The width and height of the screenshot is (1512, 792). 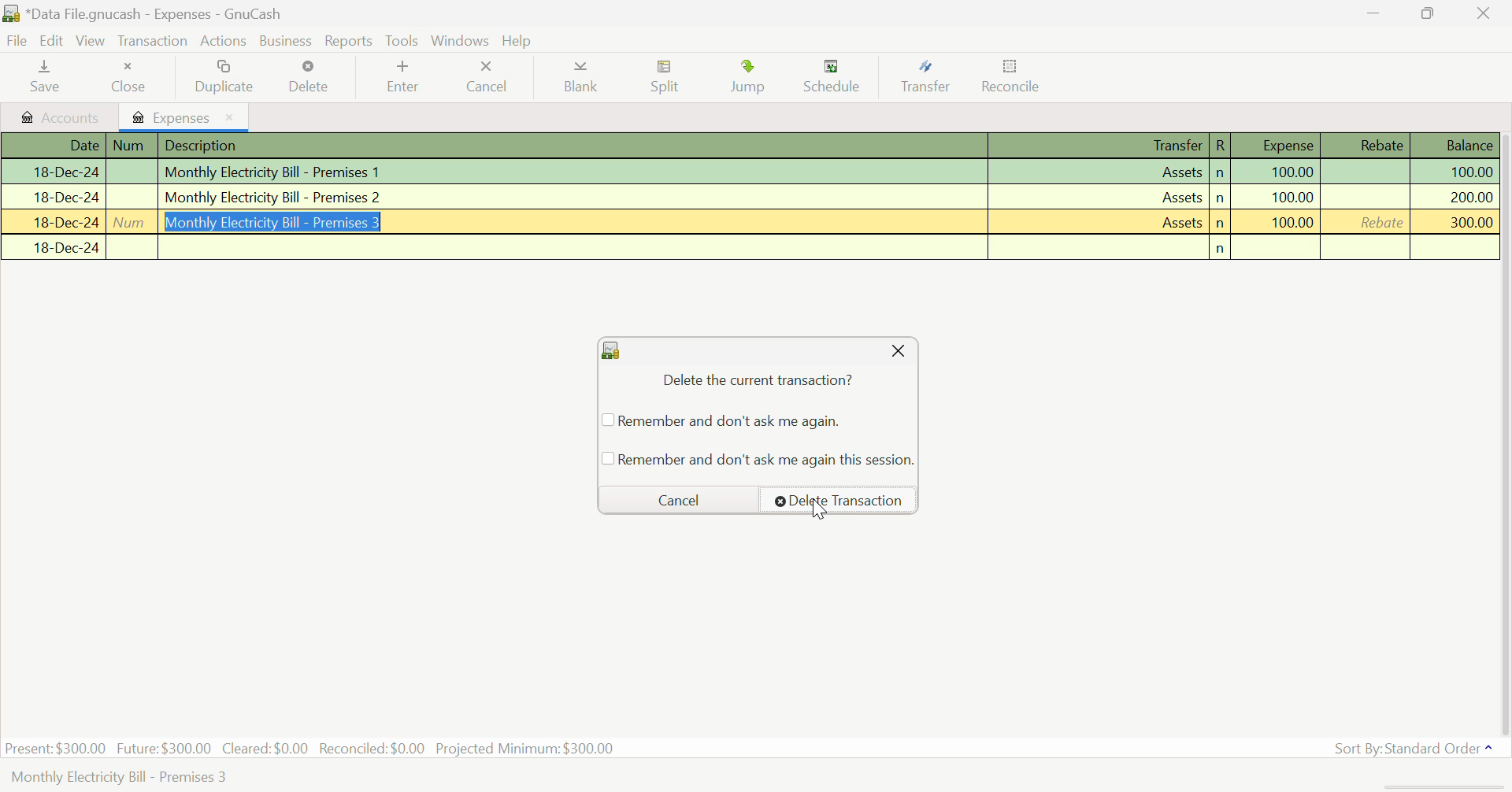 I want to click on Remember and don't ask me again., so click(x=719, y=420).